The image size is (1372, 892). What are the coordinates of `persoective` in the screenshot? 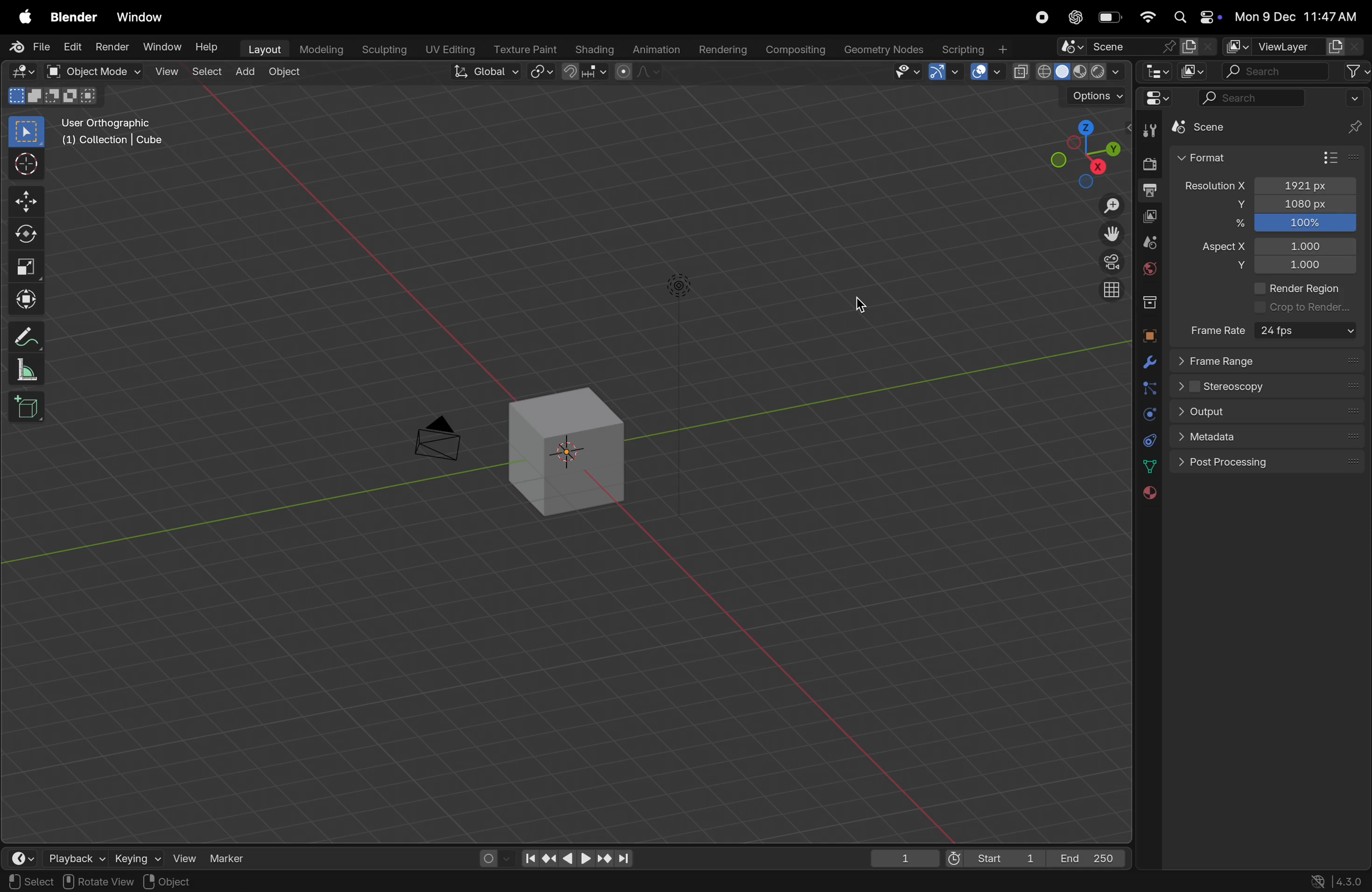 It's located at (1107, 262).